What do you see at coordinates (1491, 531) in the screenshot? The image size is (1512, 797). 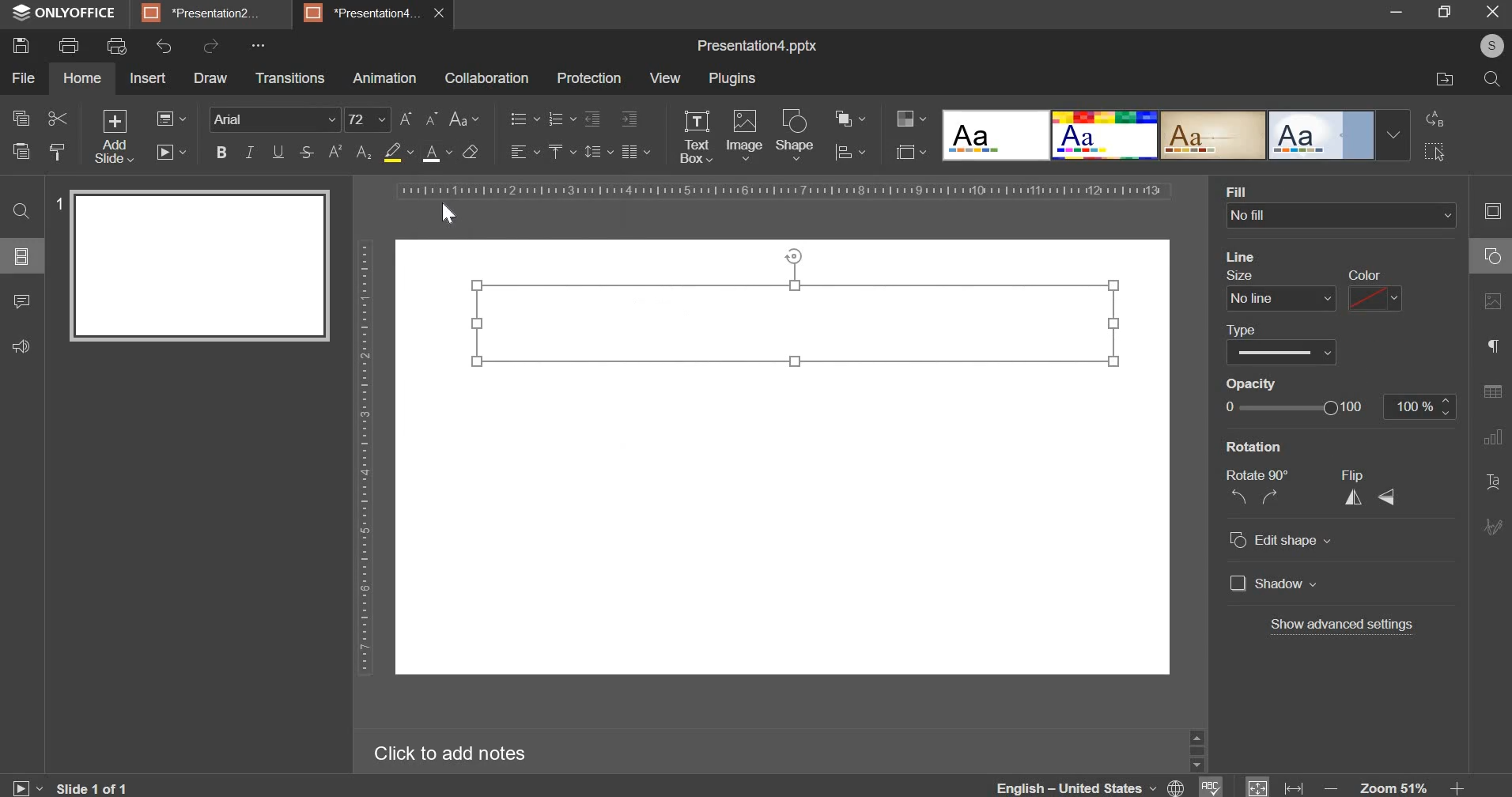 I see `` at bounding box center [1491, 531].